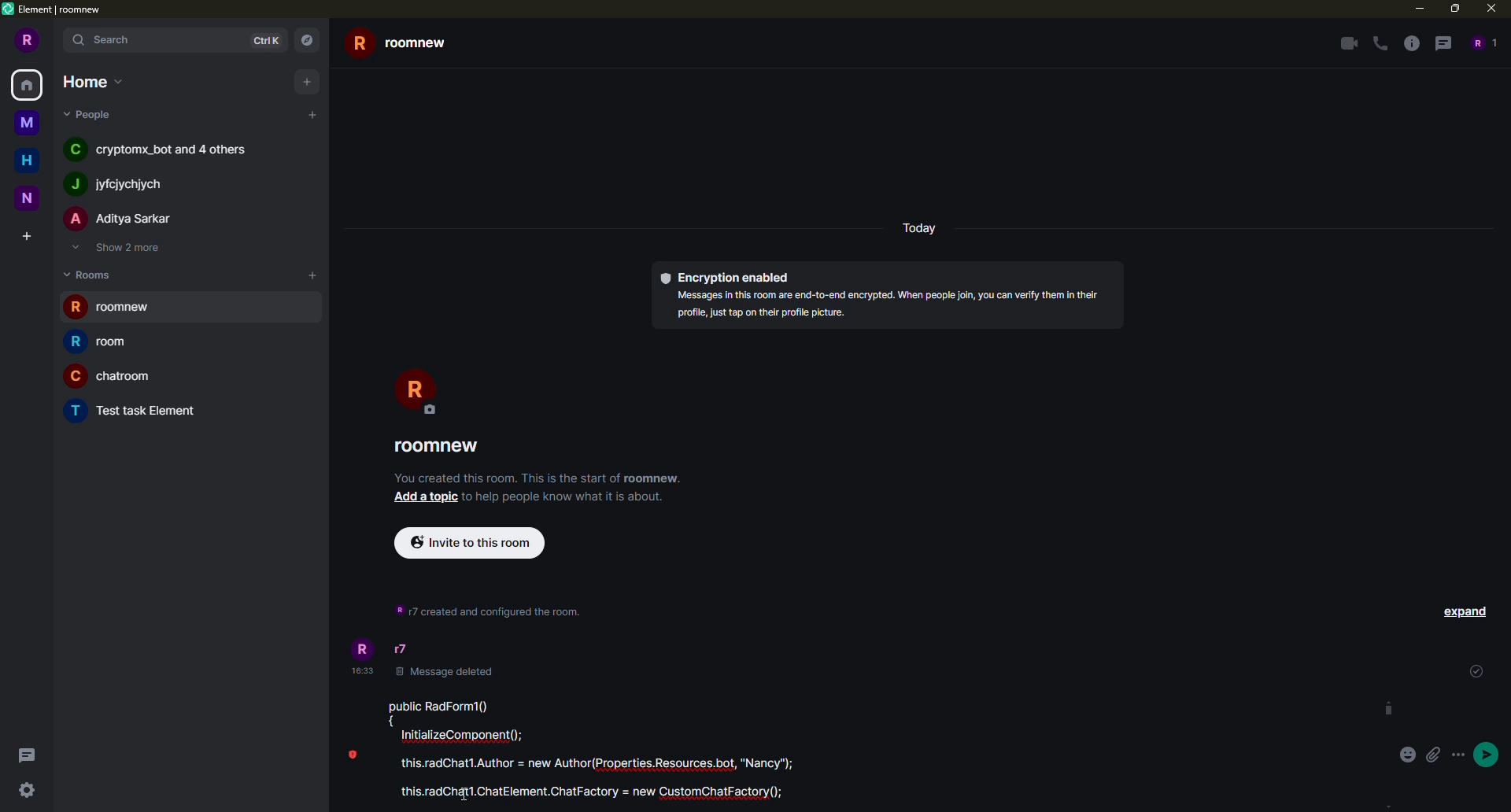  I want to click on profile, so click(427, 395).